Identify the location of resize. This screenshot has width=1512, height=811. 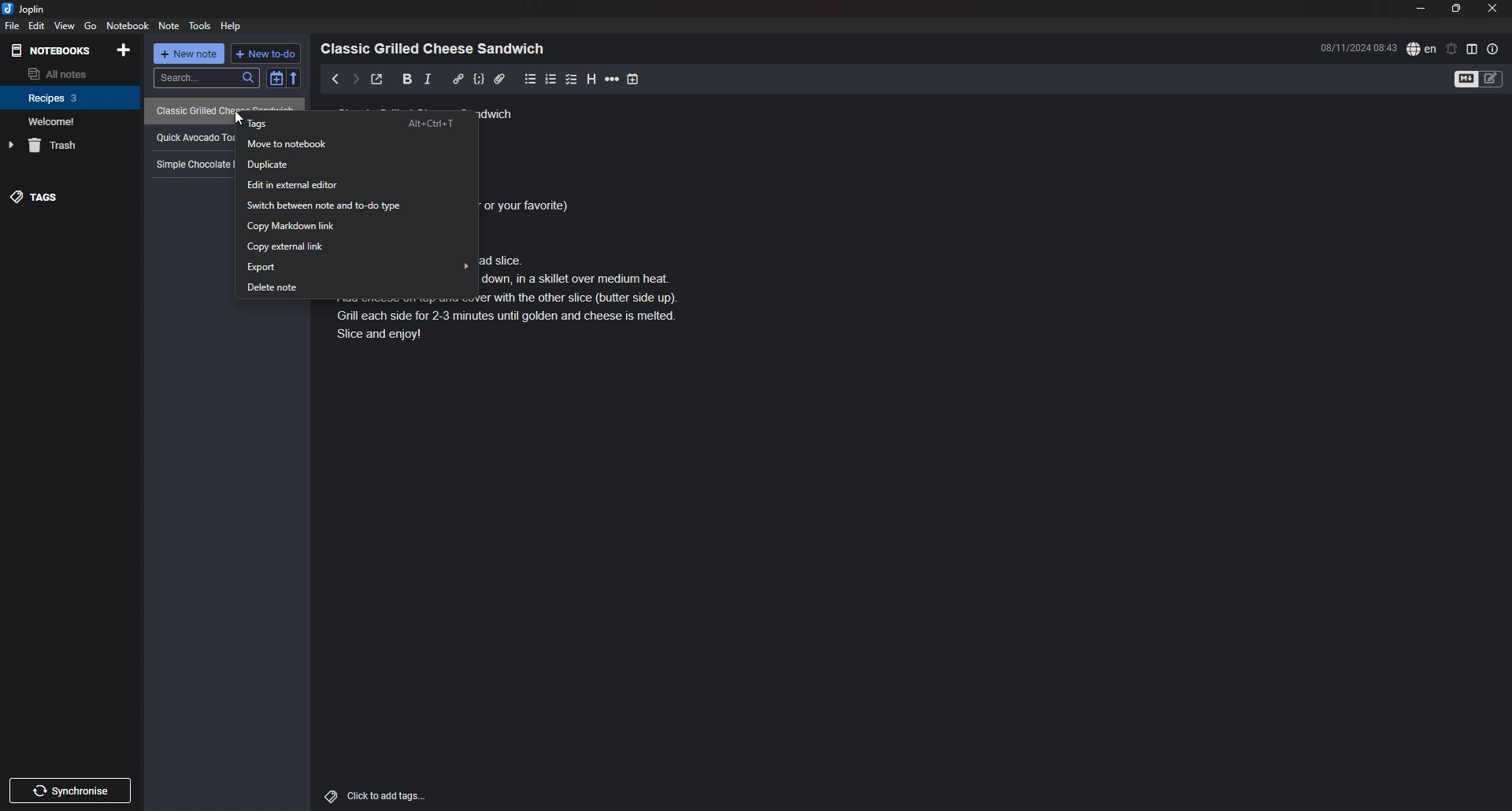
(1456, 9).